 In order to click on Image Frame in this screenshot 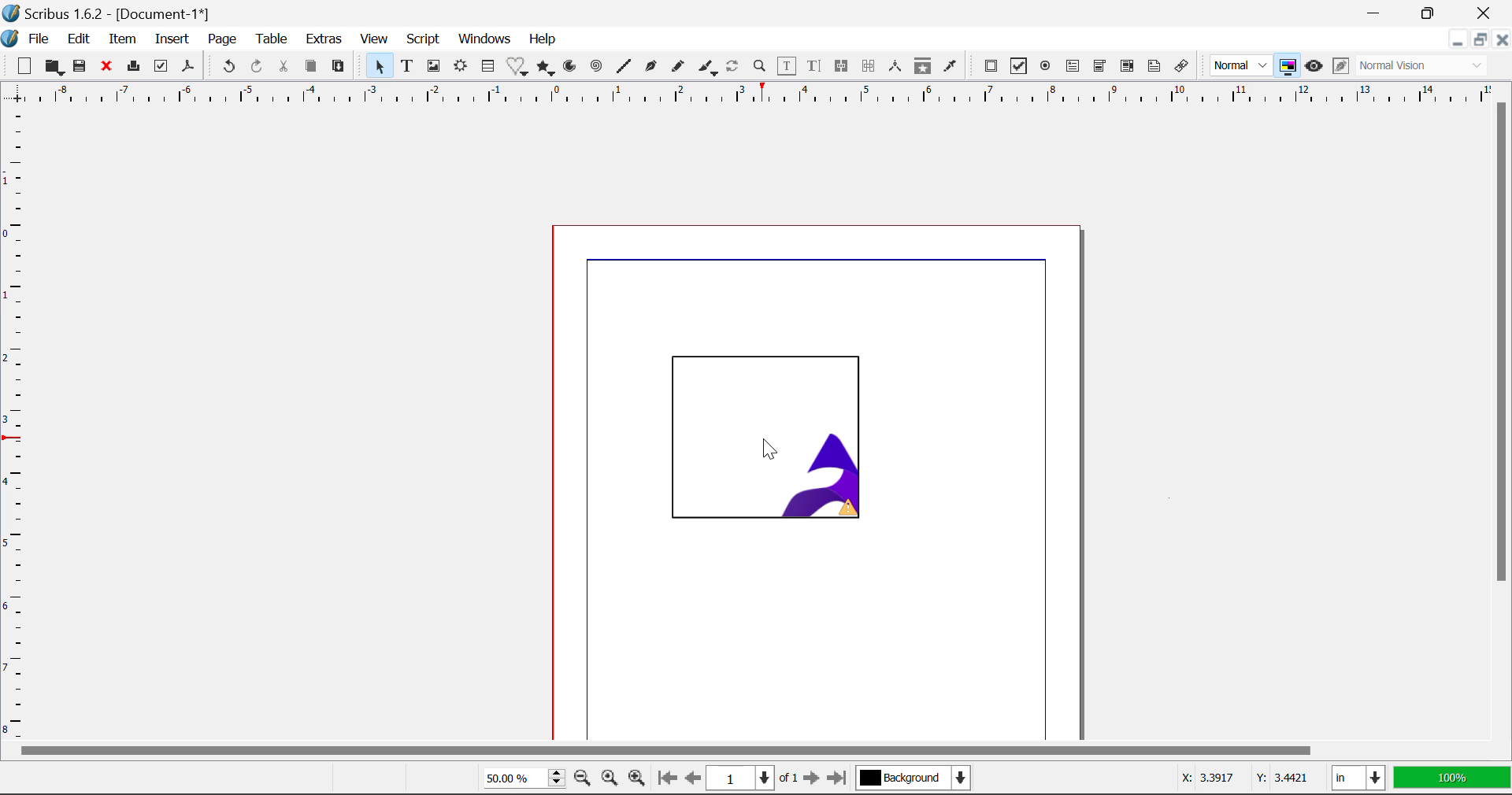, I will do `click(434, 68)`.